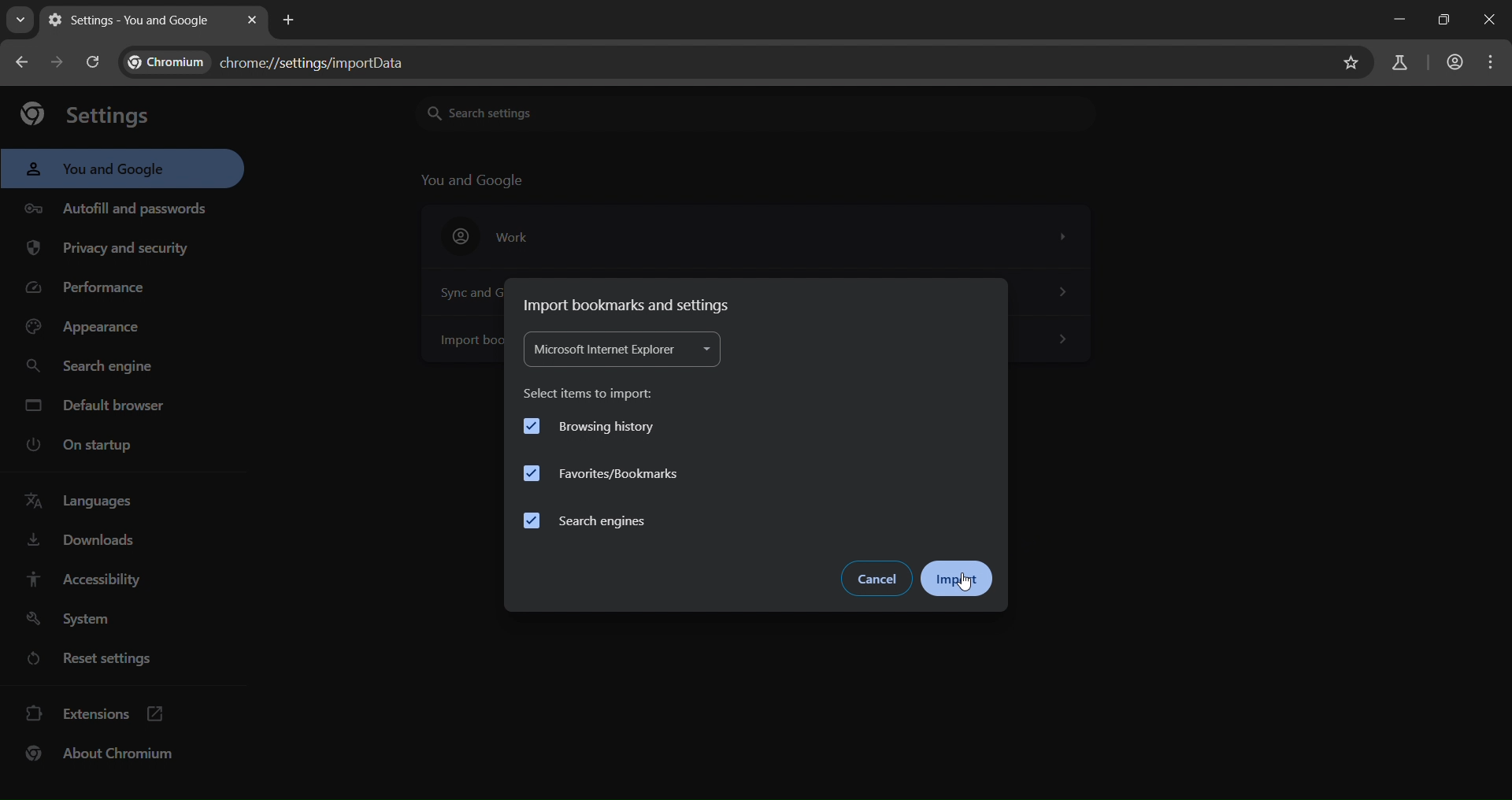 This screenshot has width=1512, height=800. What do you see at coordinates (108, 754) in the screenshot?
I see `about chroimum` at bounding box center [108, 754].